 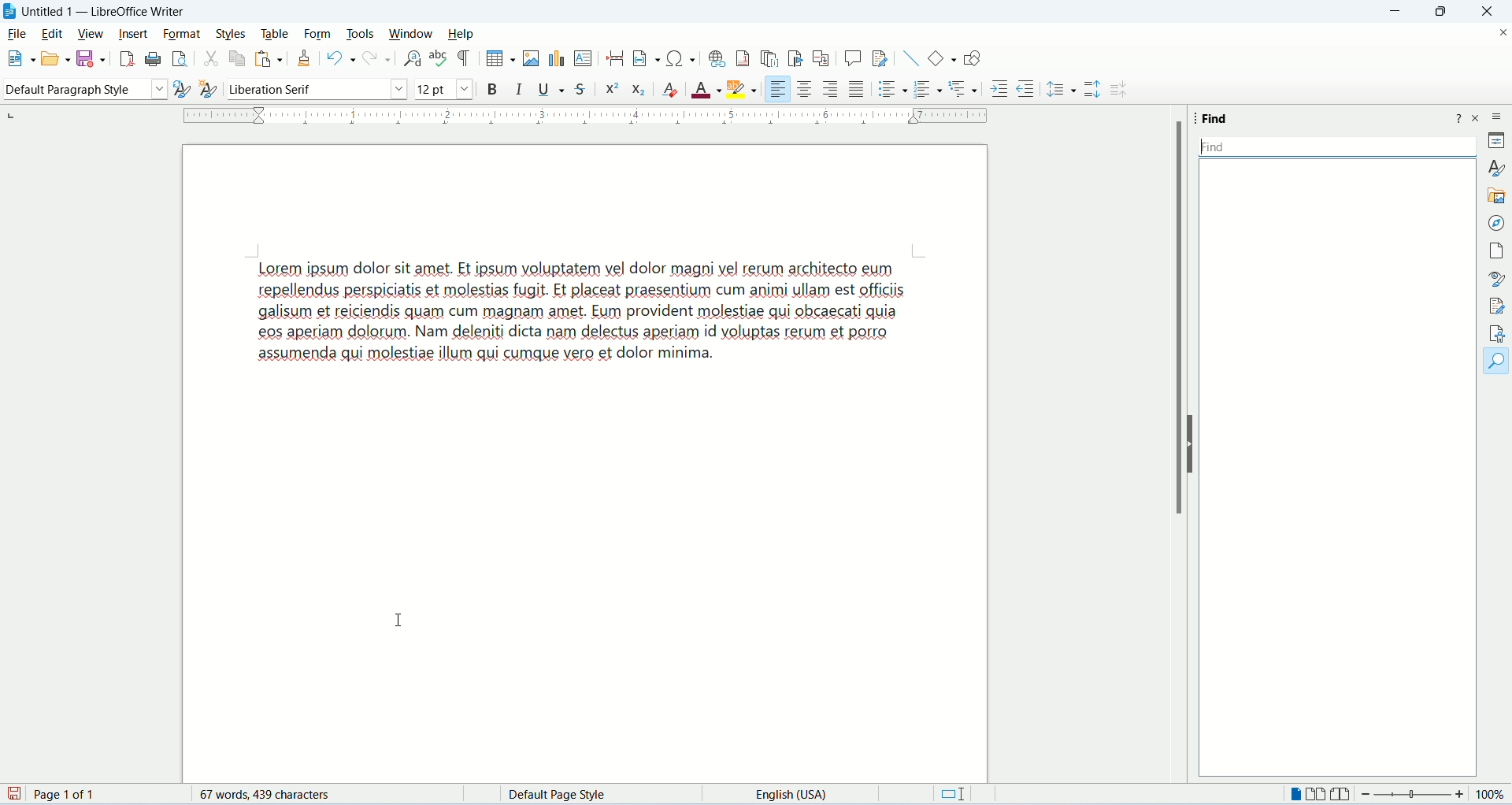 What do you see at coordinates (1343, 796) in the screenshot?
I see `book view` at bounding box center [1343, 796].